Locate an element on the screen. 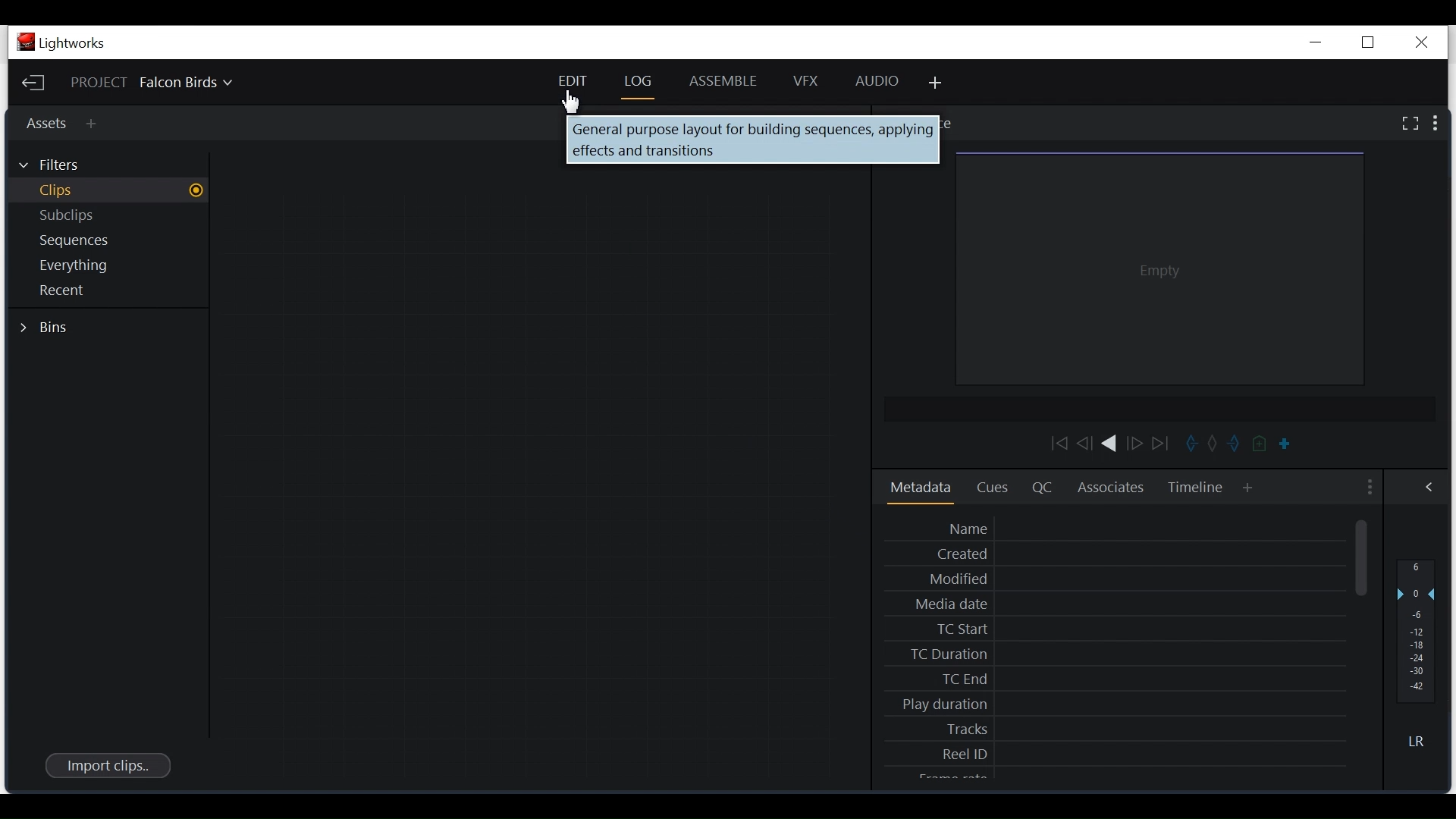  Audio output level (dB) is located at coordinates (1414, 630).